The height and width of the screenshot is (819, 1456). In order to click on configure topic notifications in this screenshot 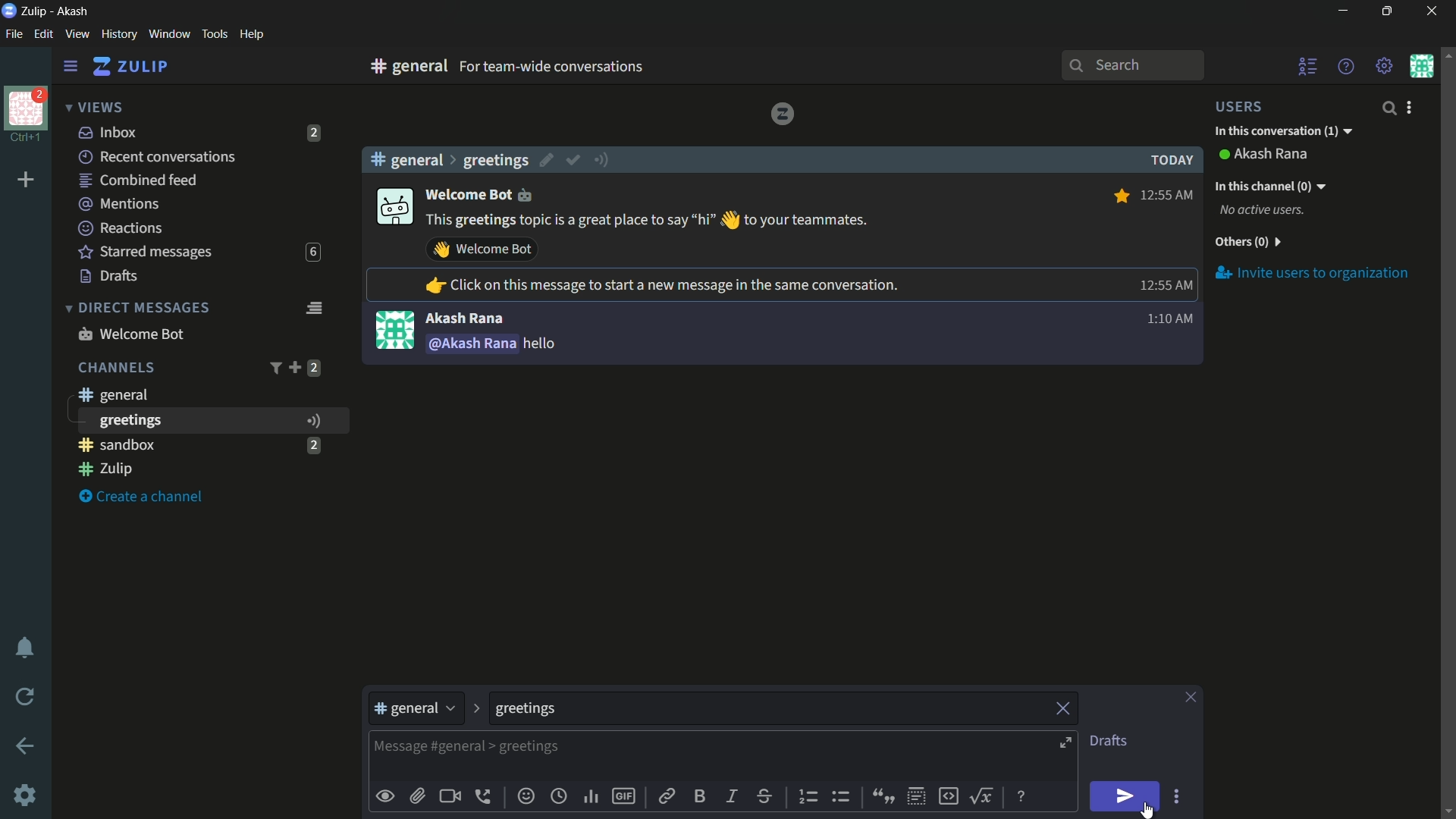, I will do `click(604, 158)`.